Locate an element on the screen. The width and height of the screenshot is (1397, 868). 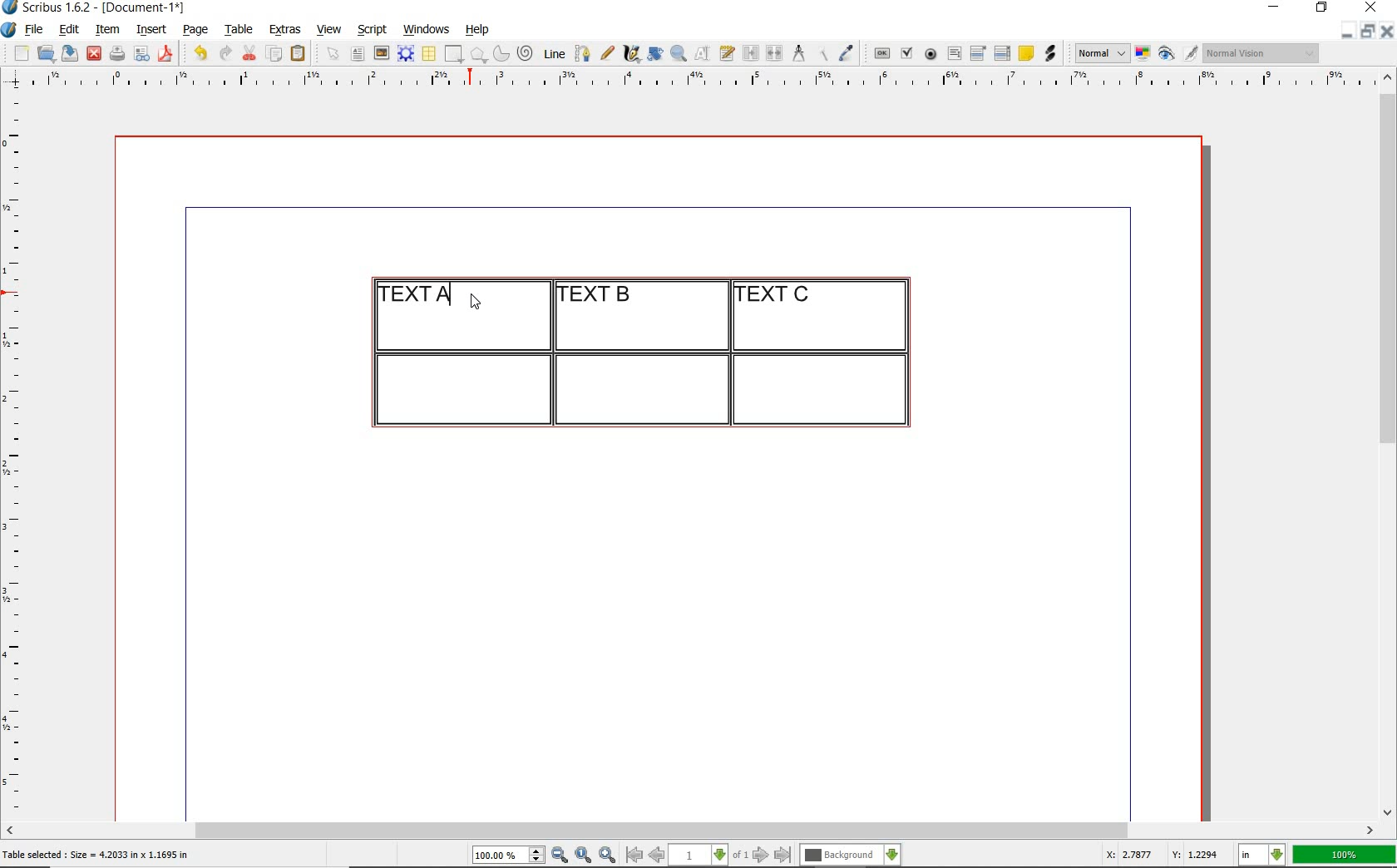
save is located at coordinates (67, 53).